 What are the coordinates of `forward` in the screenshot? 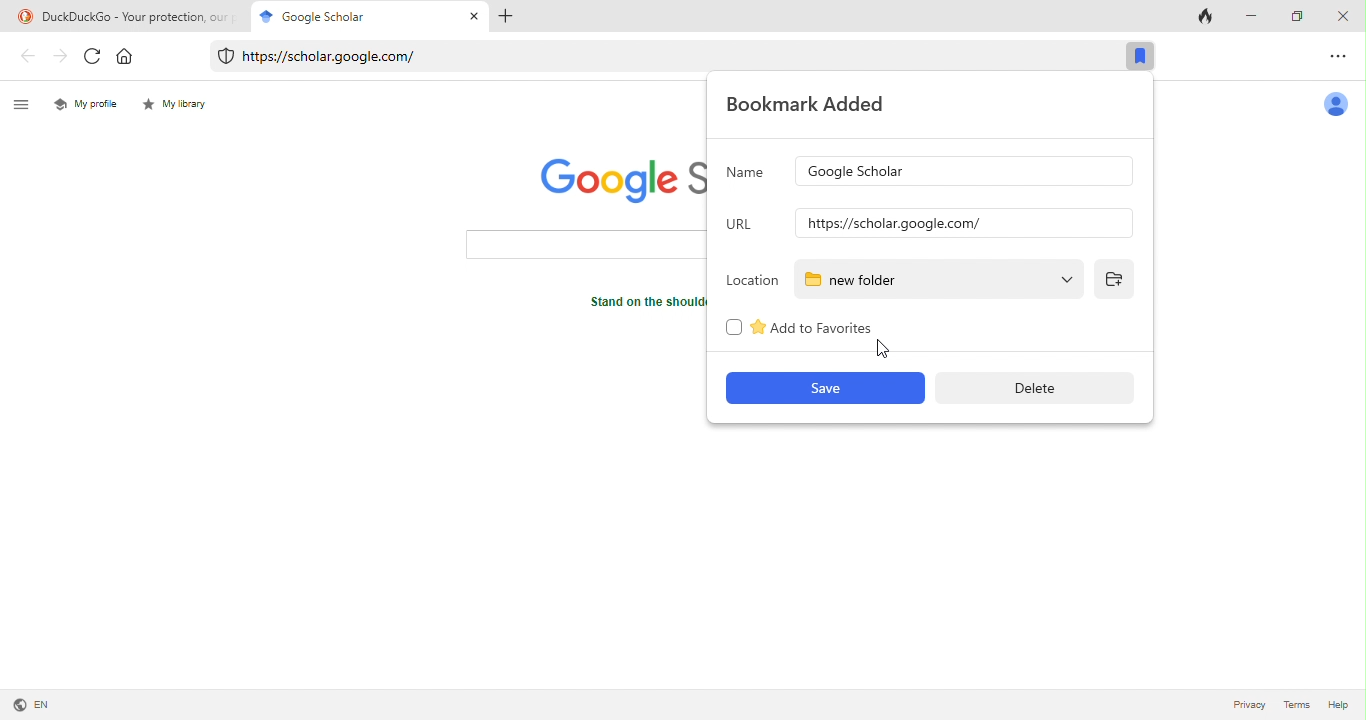 It's located at (62, 58).